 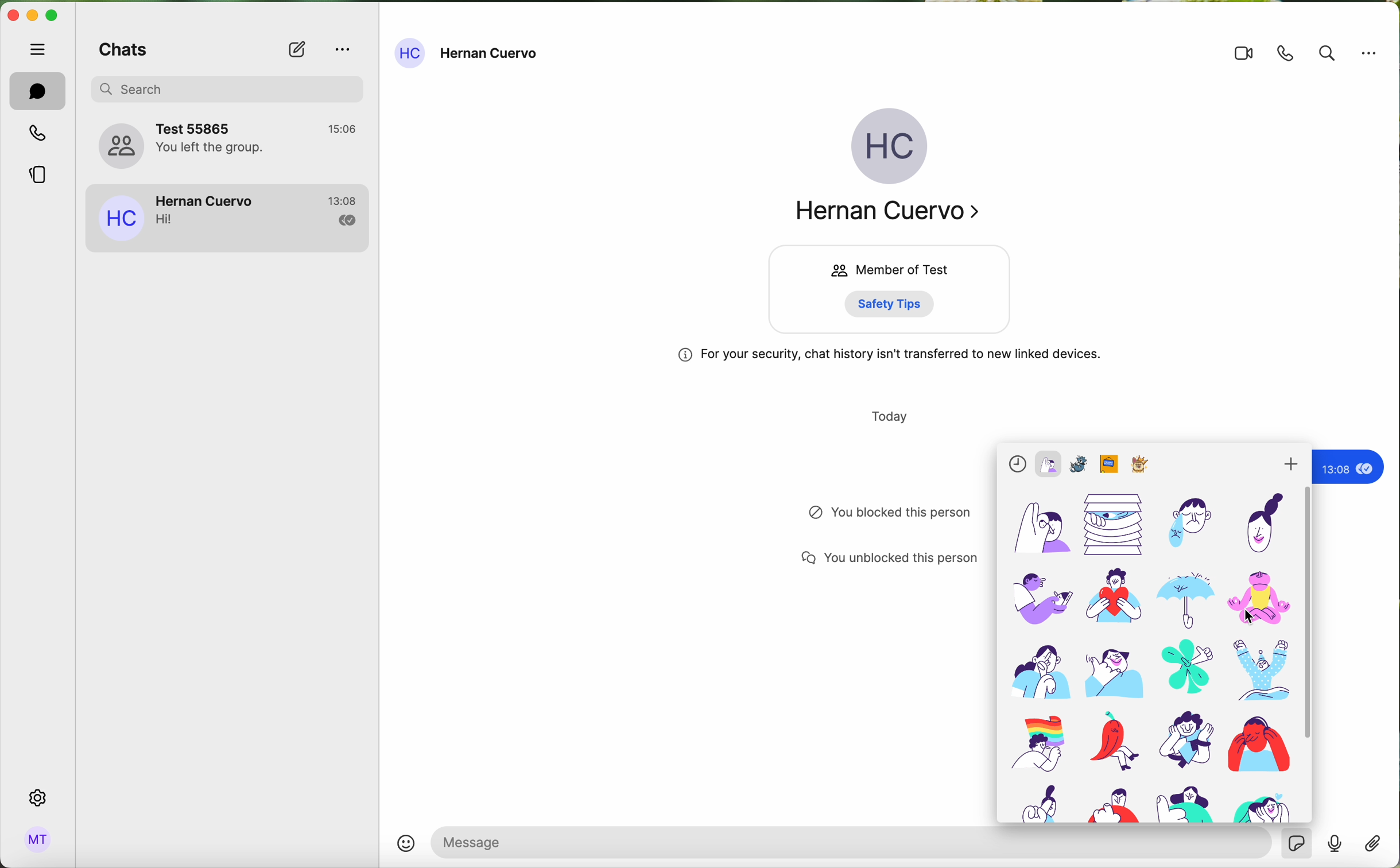 I want to click on cursor, so click(x=1247, y=617).